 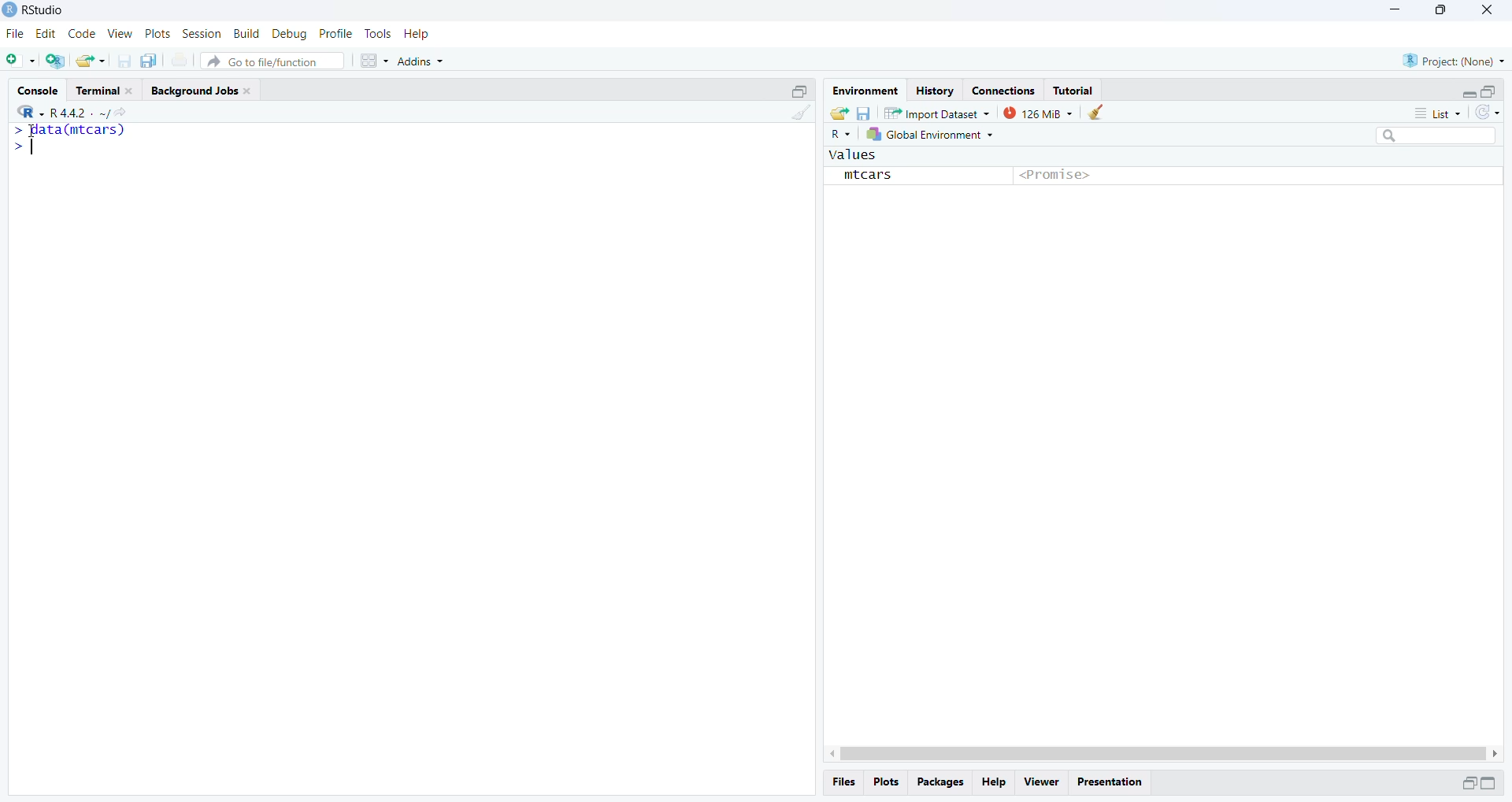 What do you see at coordinates (927, 135) in the screenshot?
I see `global environment` at bounding box center [927, 135].